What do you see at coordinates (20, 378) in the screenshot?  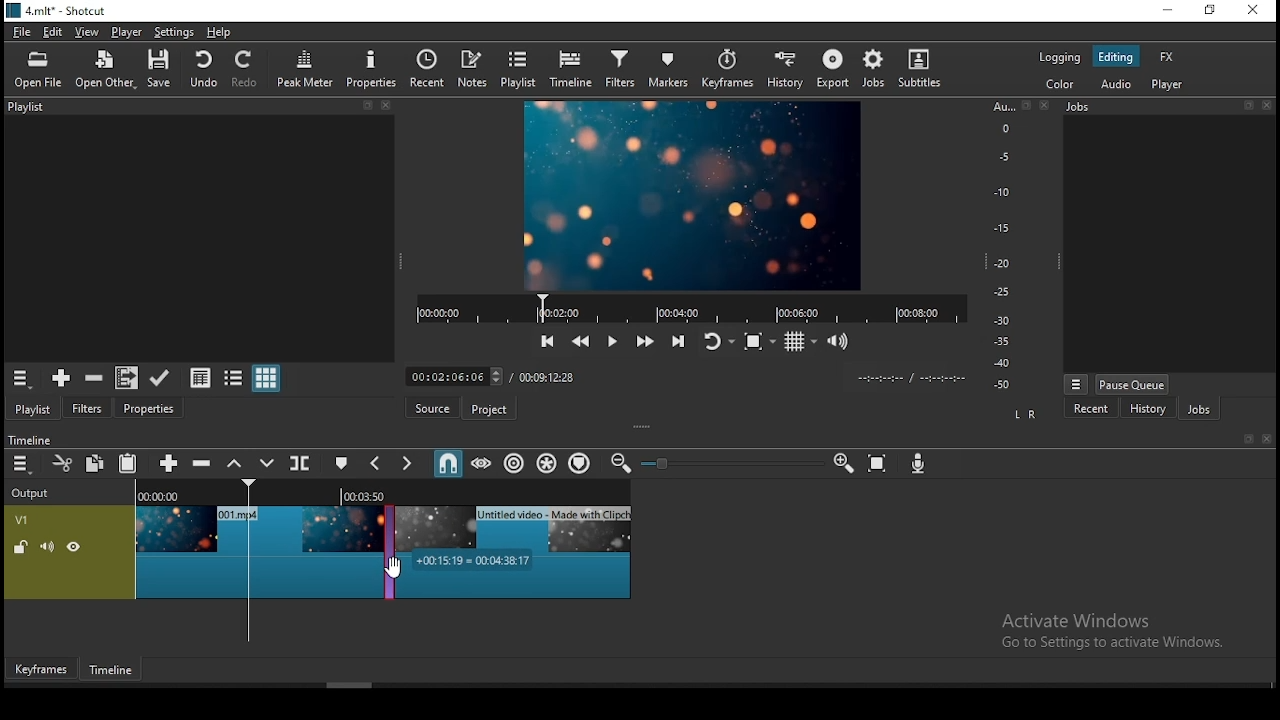 I see `playlist menu` at bounding box center [20, 378].